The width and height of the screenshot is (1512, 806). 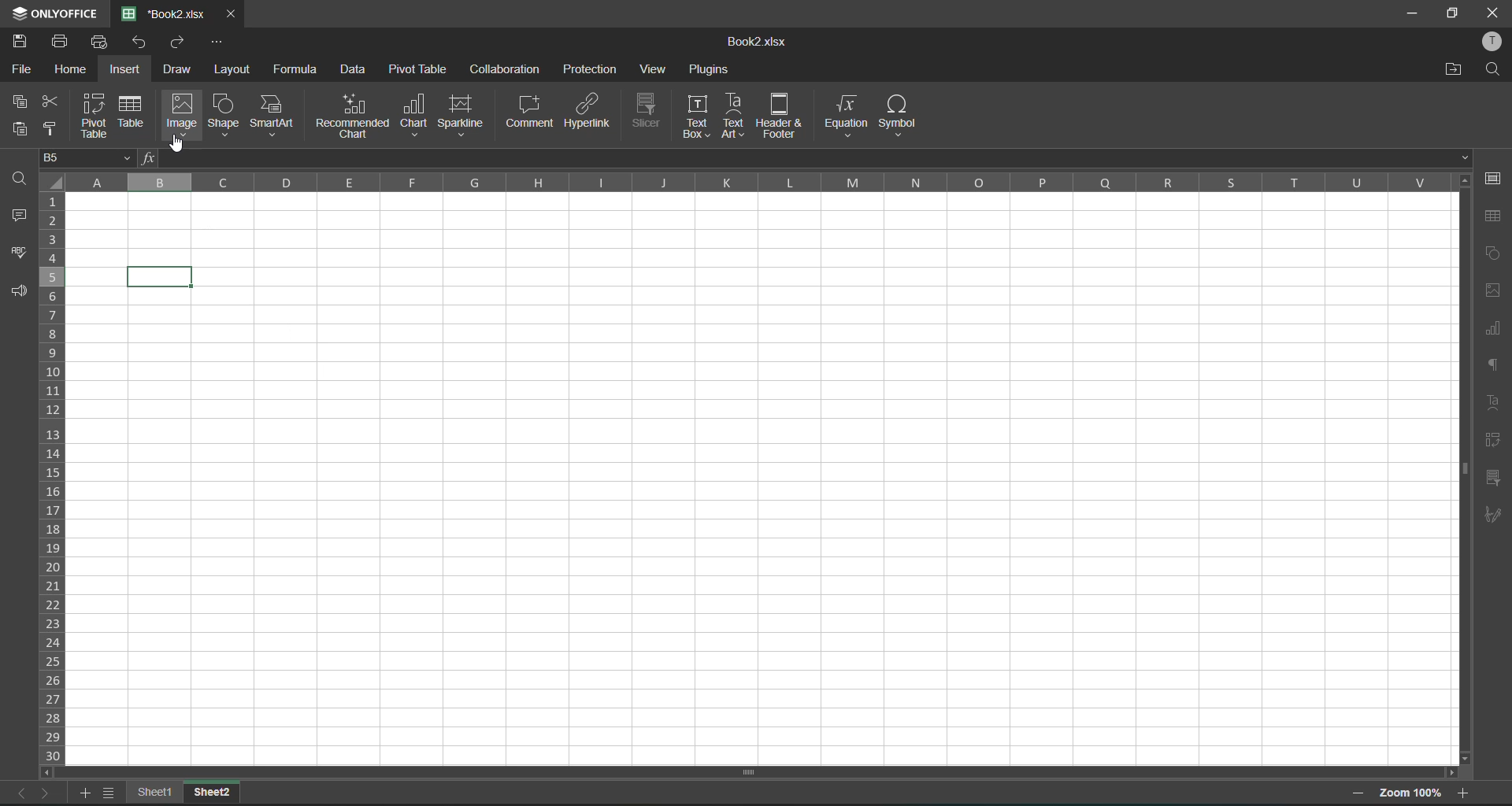 I want to click on cursor, so click(x=178, y=145).